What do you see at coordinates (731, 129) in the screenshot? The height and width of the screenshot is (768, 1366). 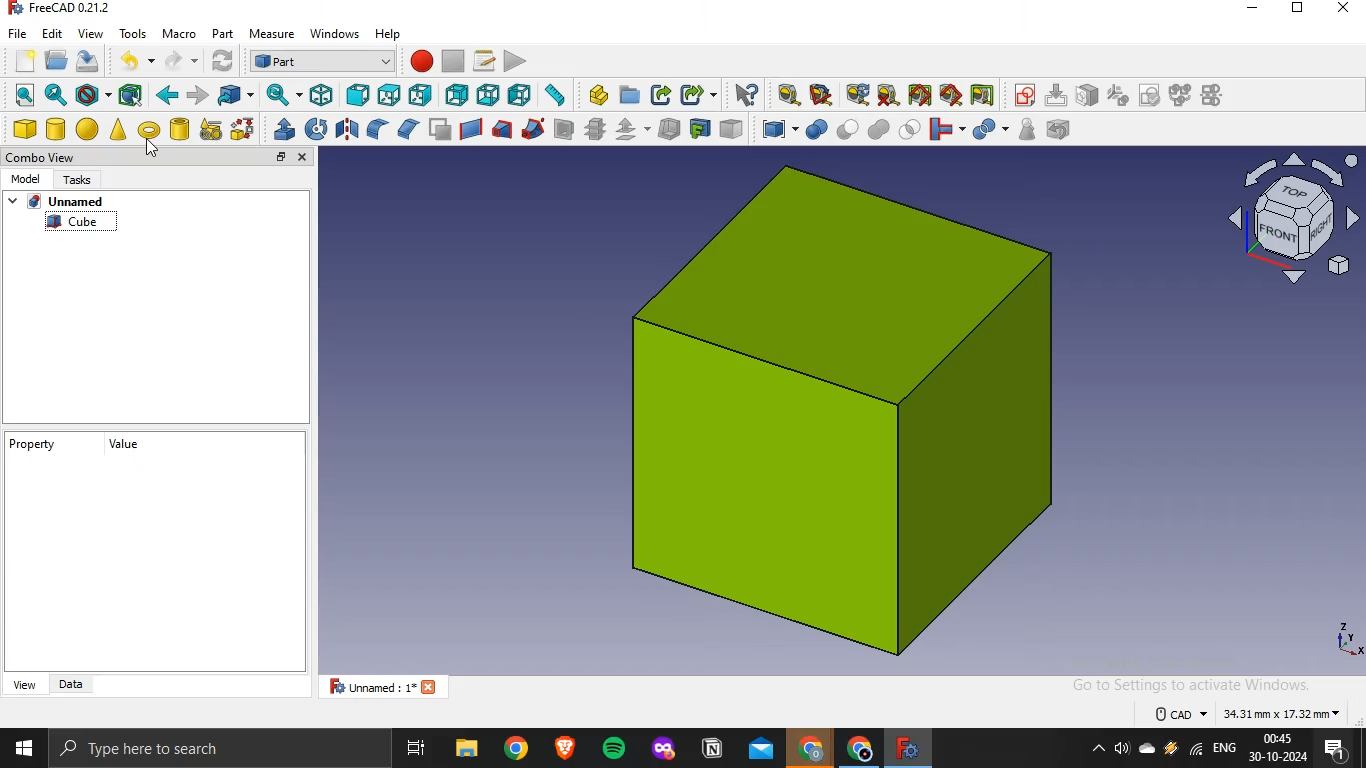 I see `color per face` at bounding box center [731, 129].